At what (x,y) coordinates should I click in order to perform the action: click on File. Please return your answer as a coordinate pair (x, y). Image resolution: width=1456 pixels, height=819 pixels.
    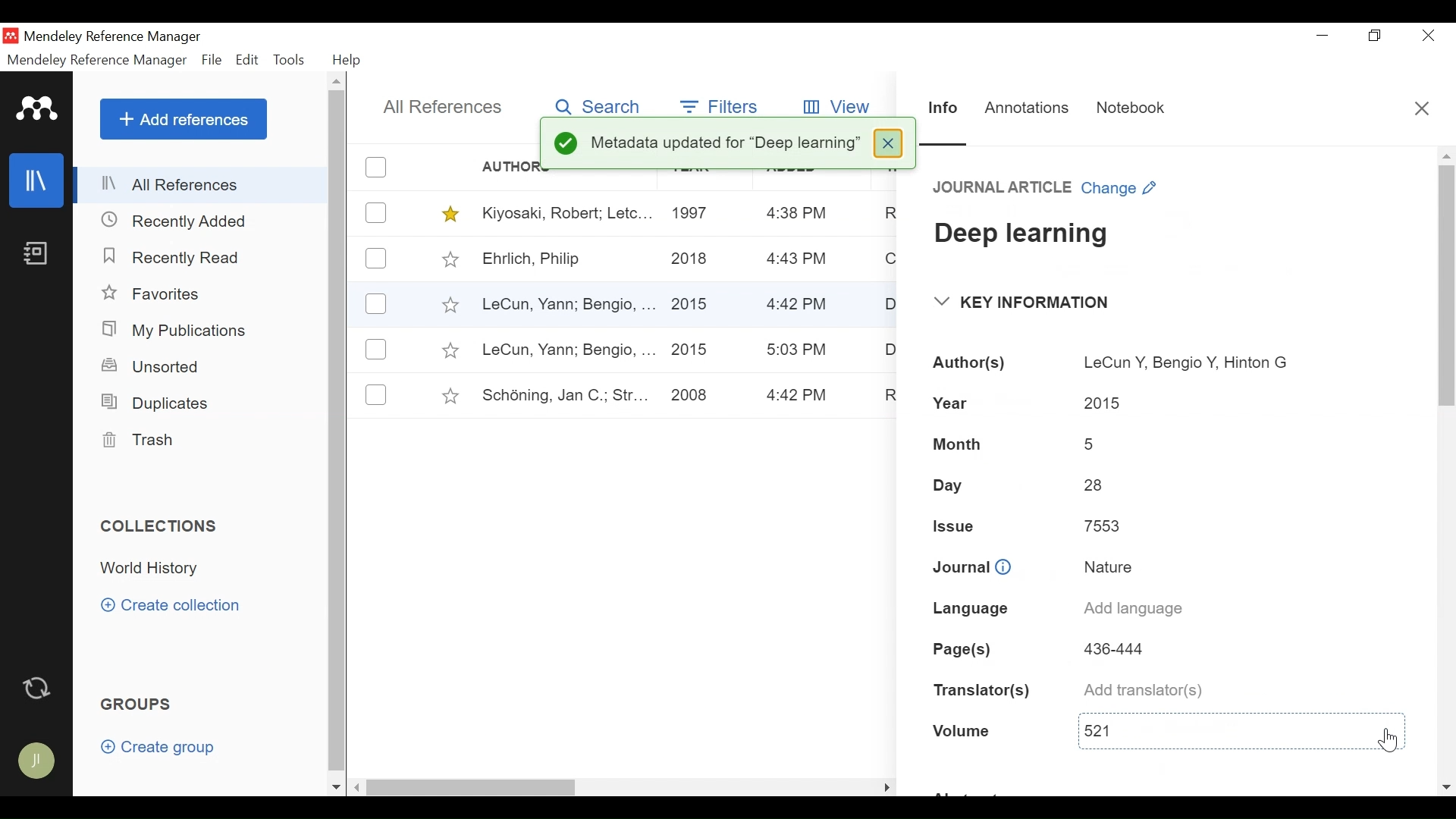
    Looking at the image, I should click on (213, 61).